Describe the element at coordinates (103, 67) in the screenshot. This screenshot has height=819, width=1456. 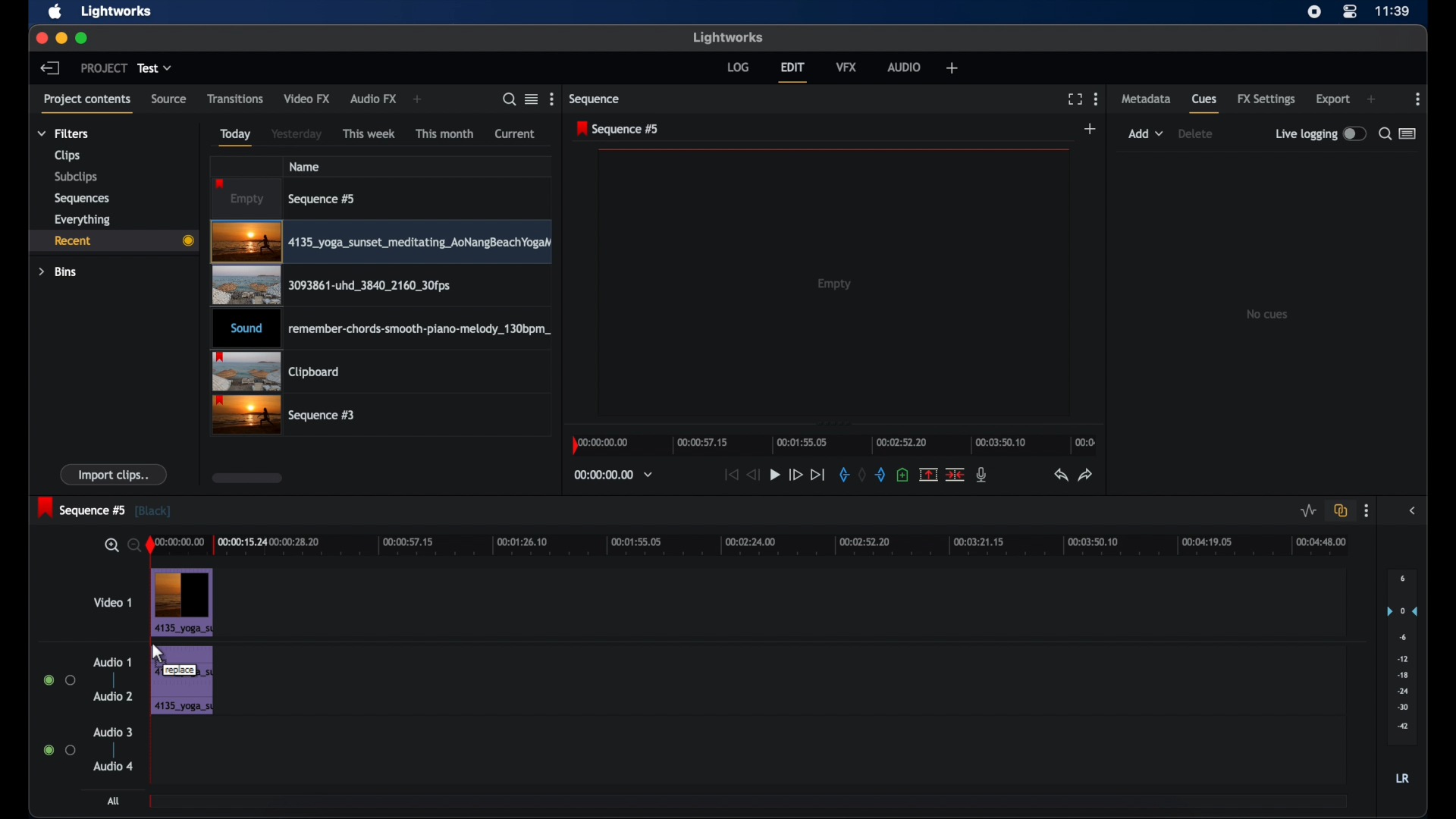
I see `project` at that location.